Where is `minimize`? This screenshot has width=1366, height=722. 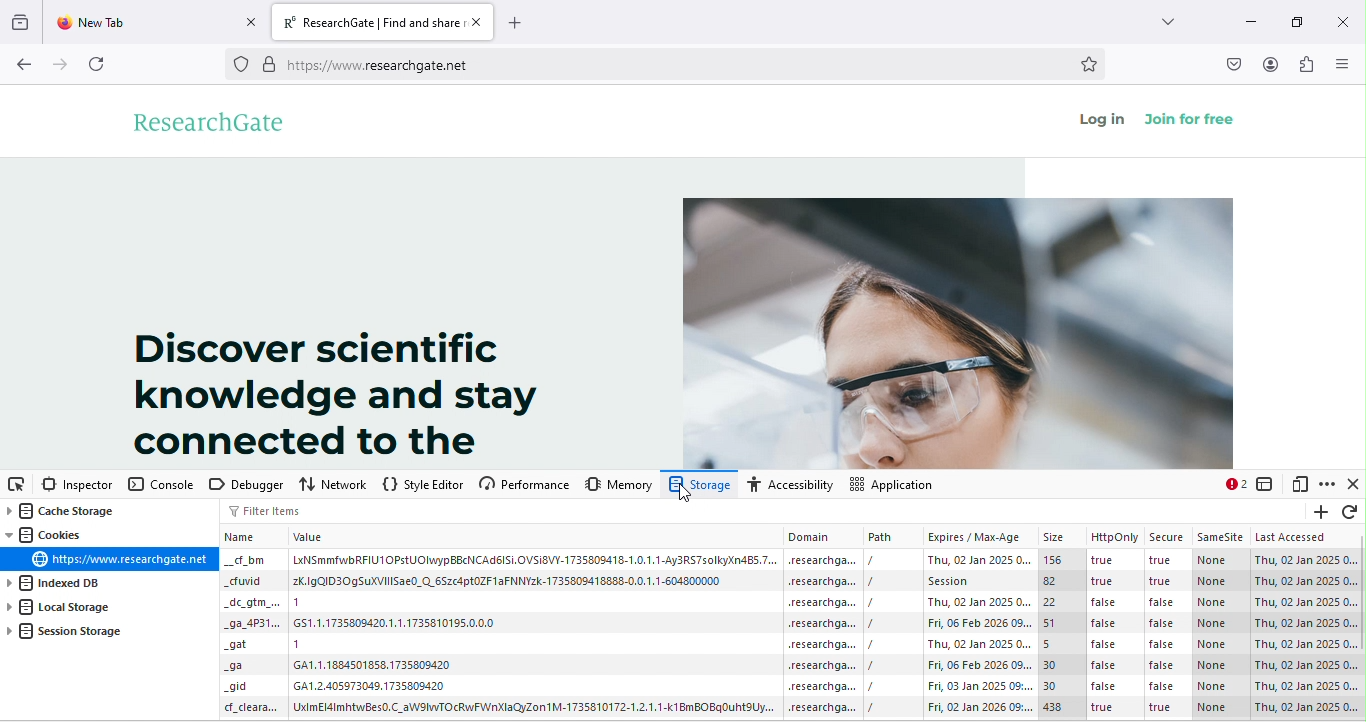 minimize is located at coordinates (1249, 21).